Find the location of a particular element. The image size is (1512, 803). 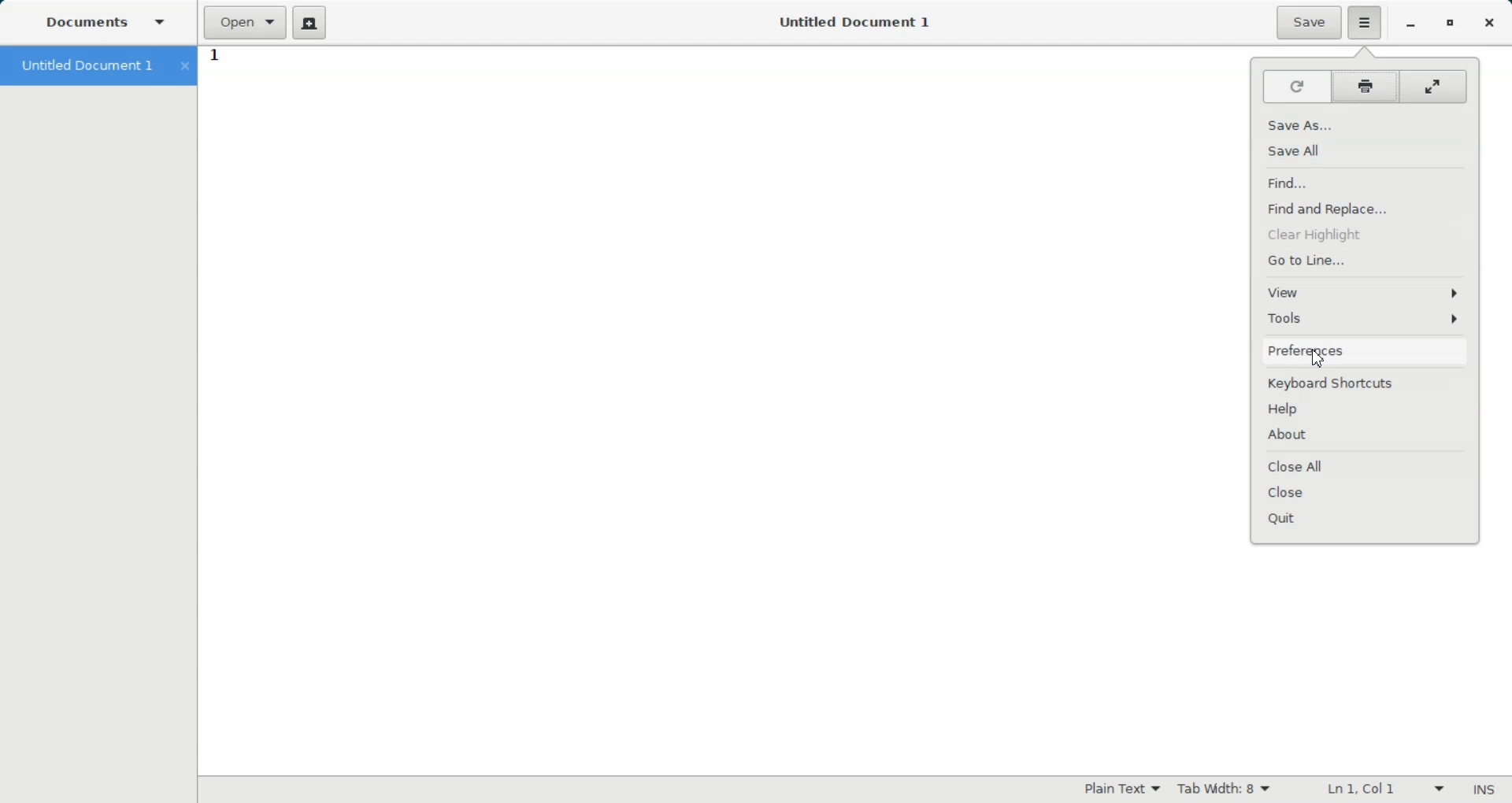

Find and Replace is located at coordinates (1365, 209).